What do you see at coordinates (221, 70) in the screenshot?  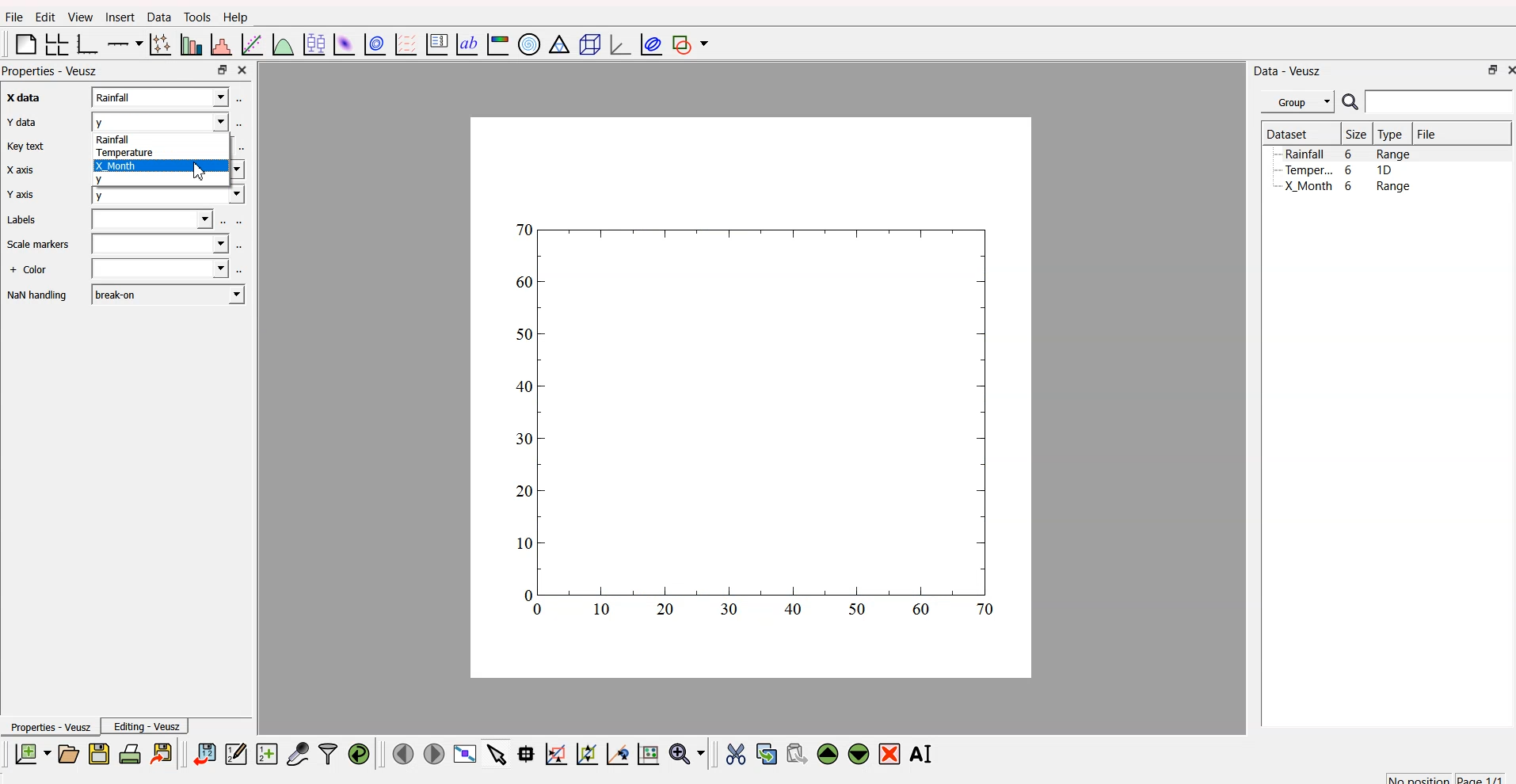 I see `maximize` at bounding box center [221, 70].